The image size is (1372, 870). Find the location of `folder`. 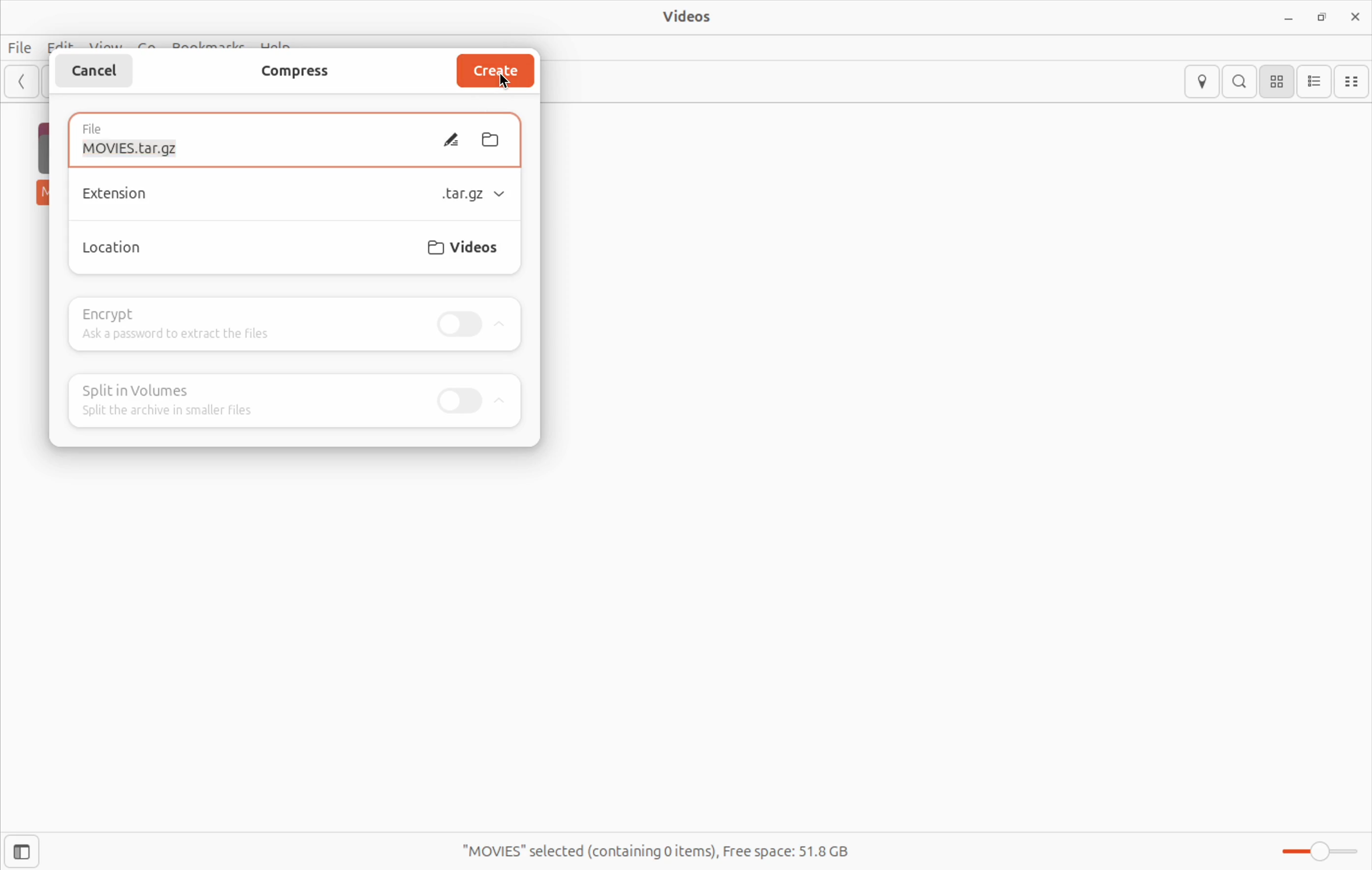

folder is located at coordinates (490, 141).